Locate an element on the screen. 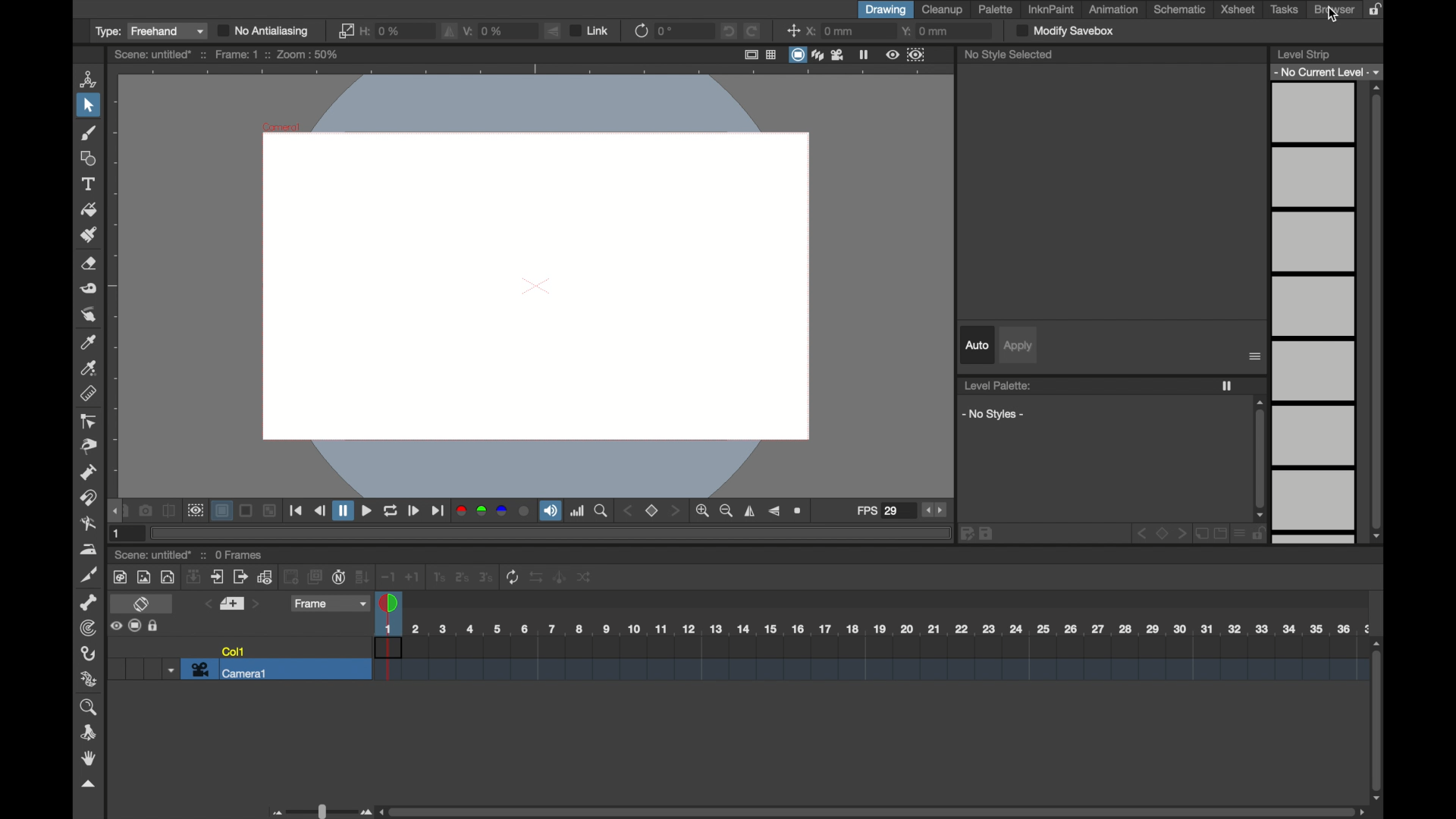 This screenshot has height=819, width=1456. blue is located at coordinates (503, 510).